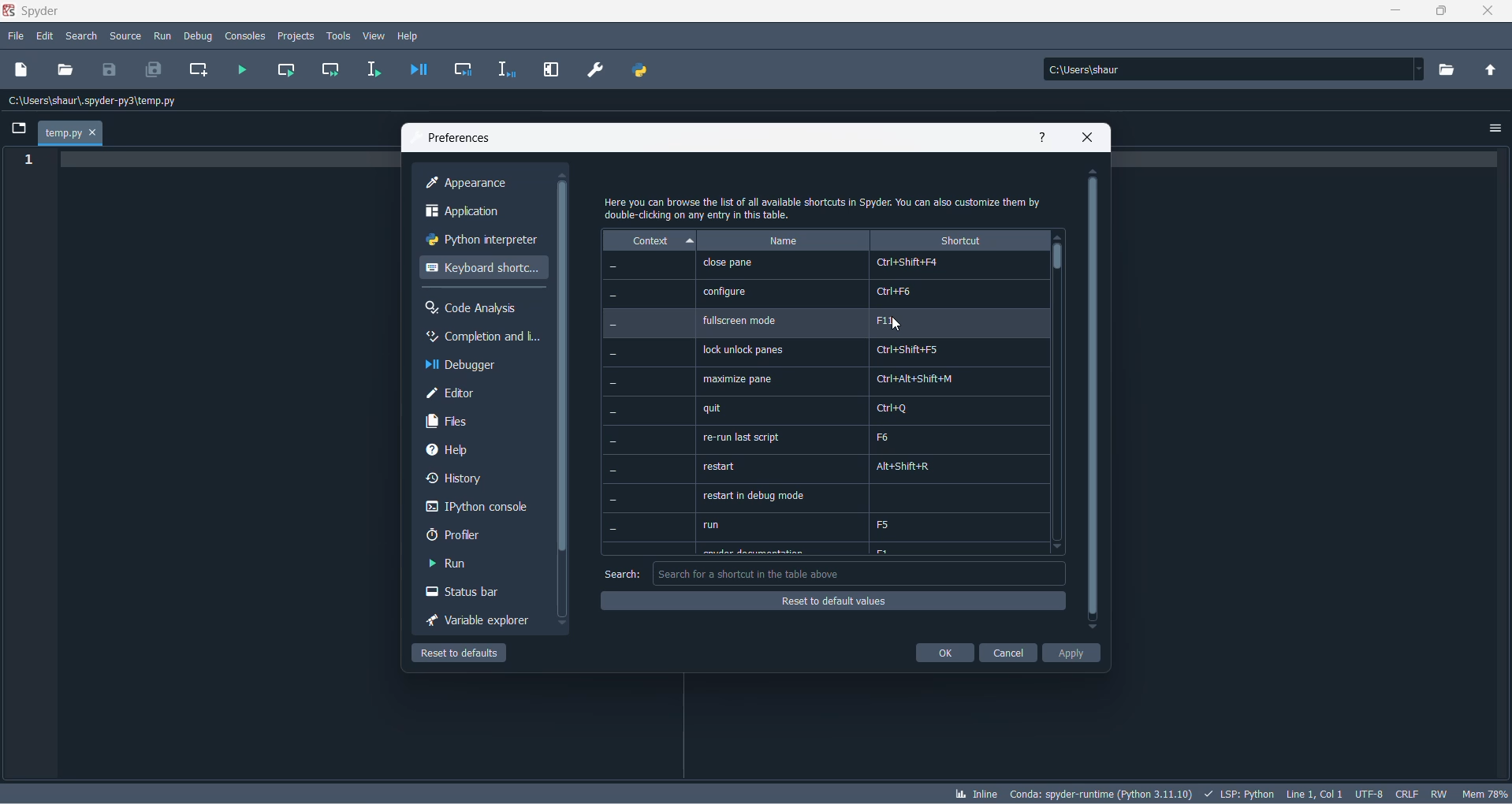  I want to click on configure, so click(724, 291).